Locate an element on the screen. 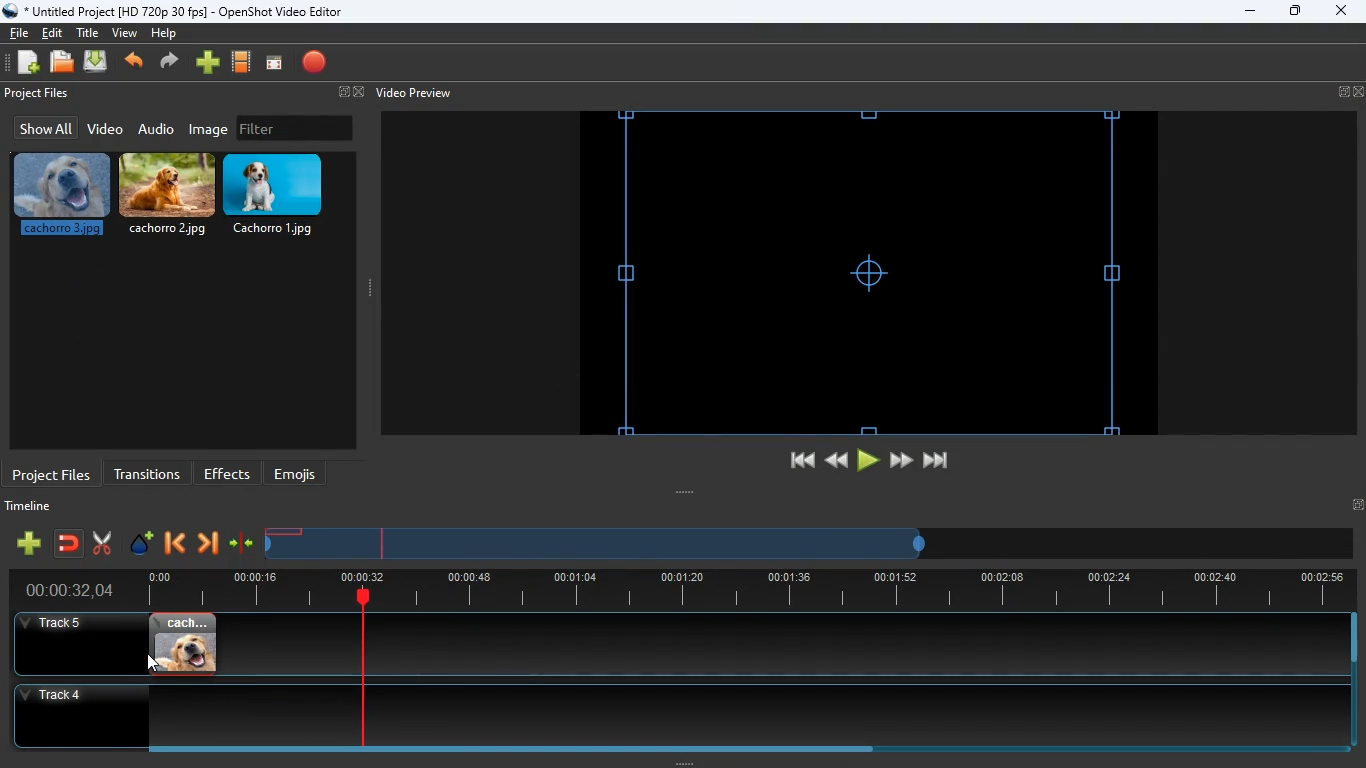  * Untitled Project [HD 720p 30 fps] - OpenShot Video Editor is located at coordinates (176, 11).